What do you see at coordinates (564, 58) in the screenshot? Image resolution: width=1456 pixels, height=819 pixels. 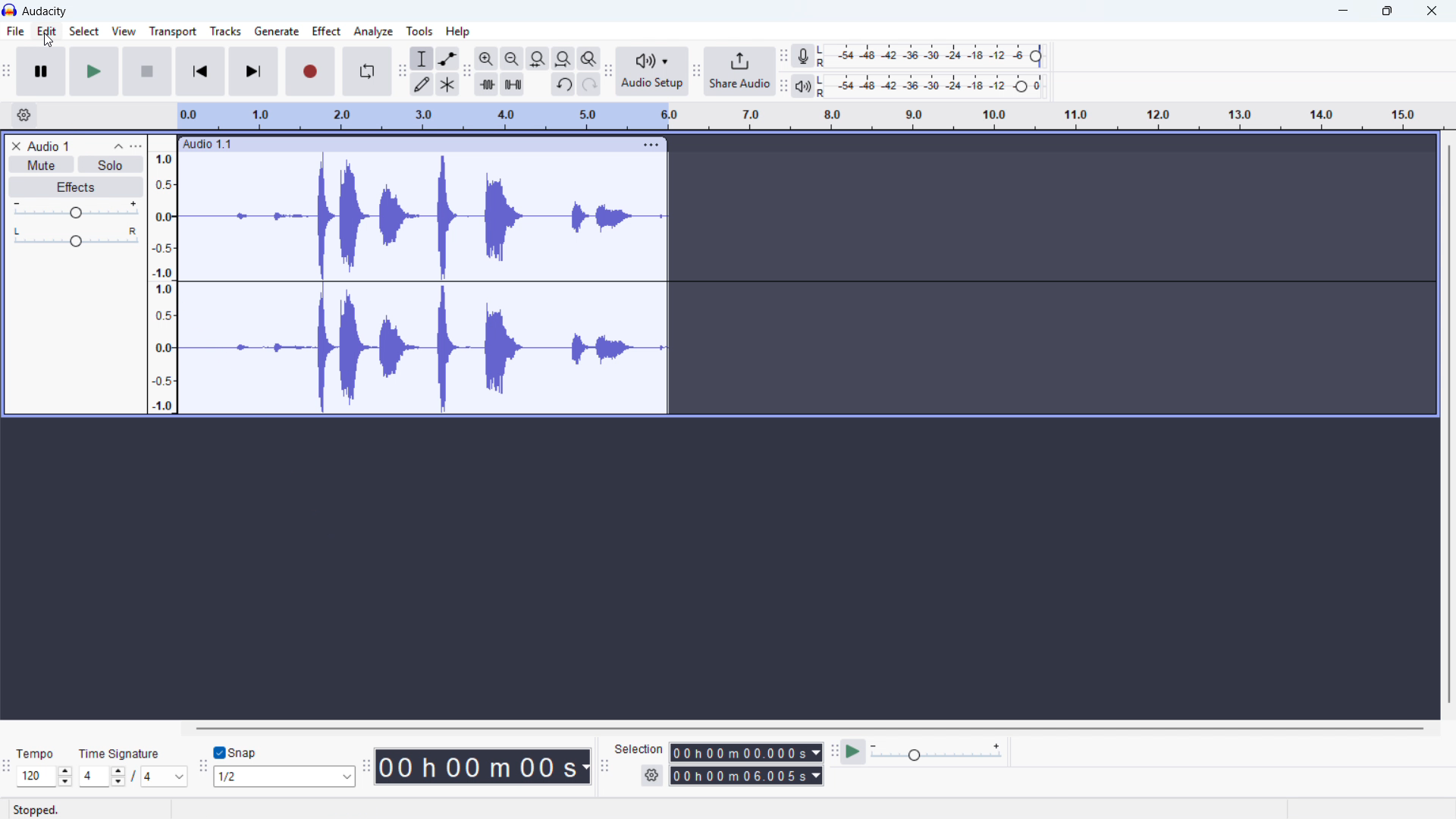 I see `fit project to width` at bounding box center [564, 58].